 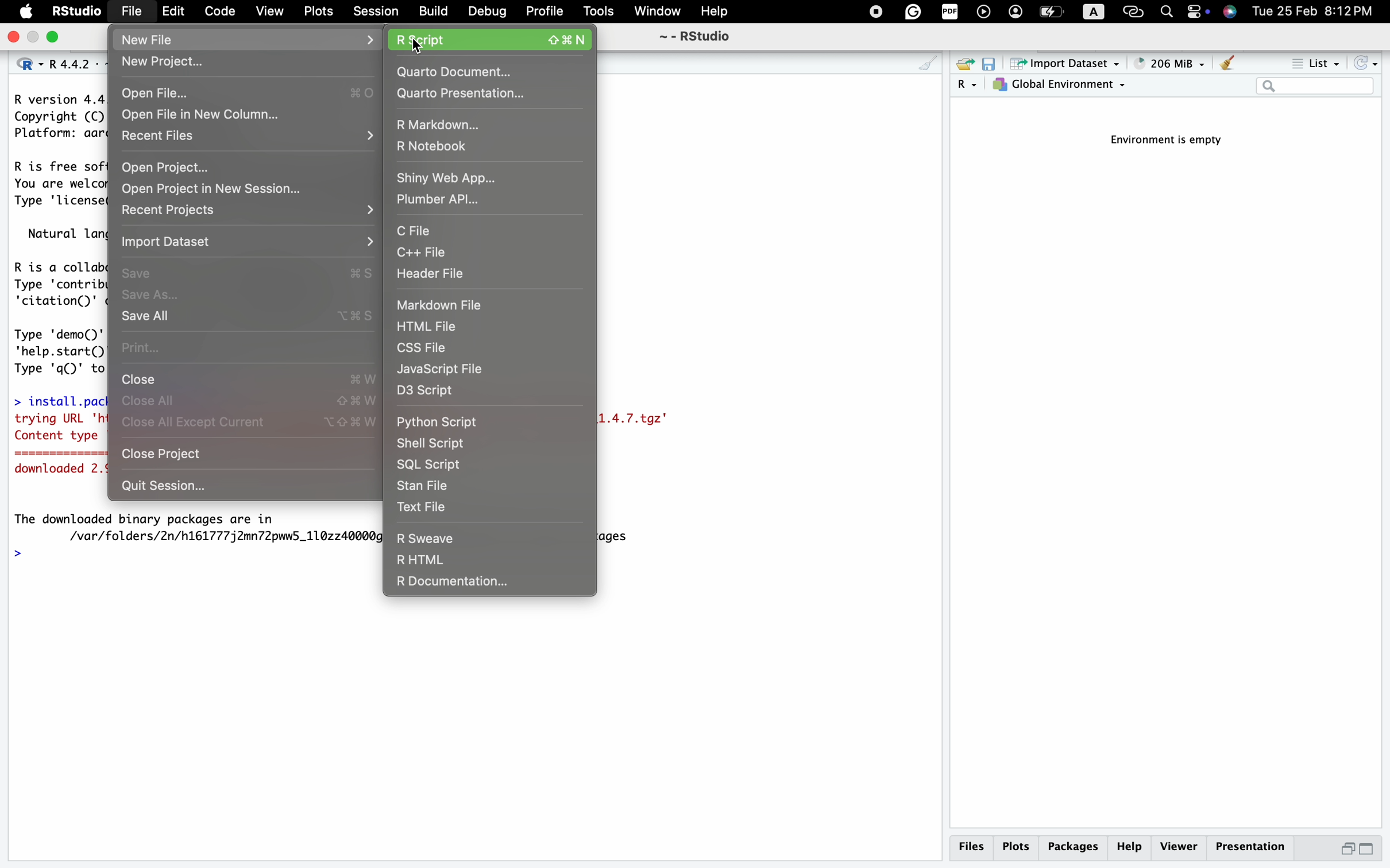 What do you see at coordinates (1164, 10) in the screenshot?
I see `search` at bounding box center [1164, 10].